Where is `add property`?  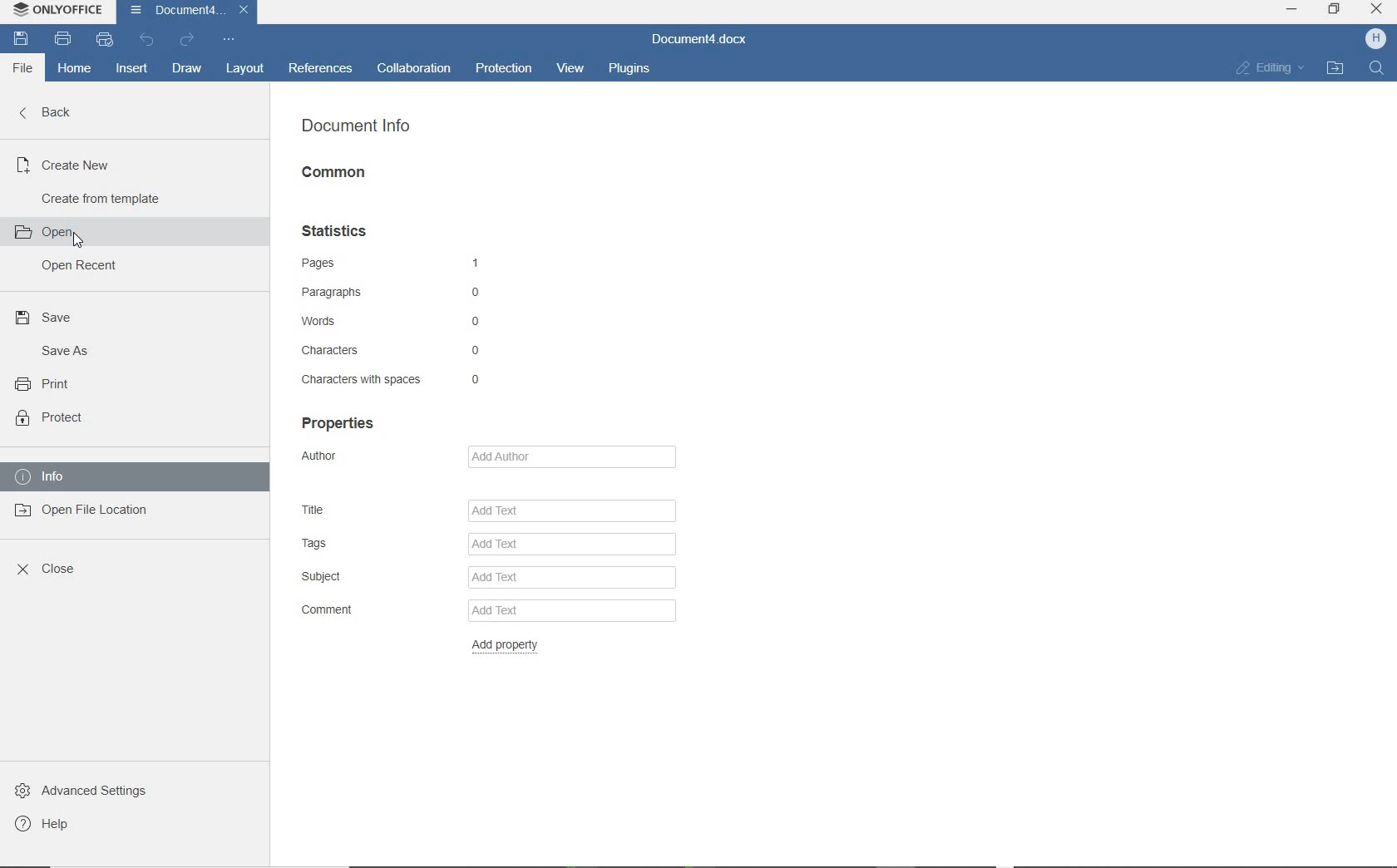
add property is located at coordinates (508, 643).